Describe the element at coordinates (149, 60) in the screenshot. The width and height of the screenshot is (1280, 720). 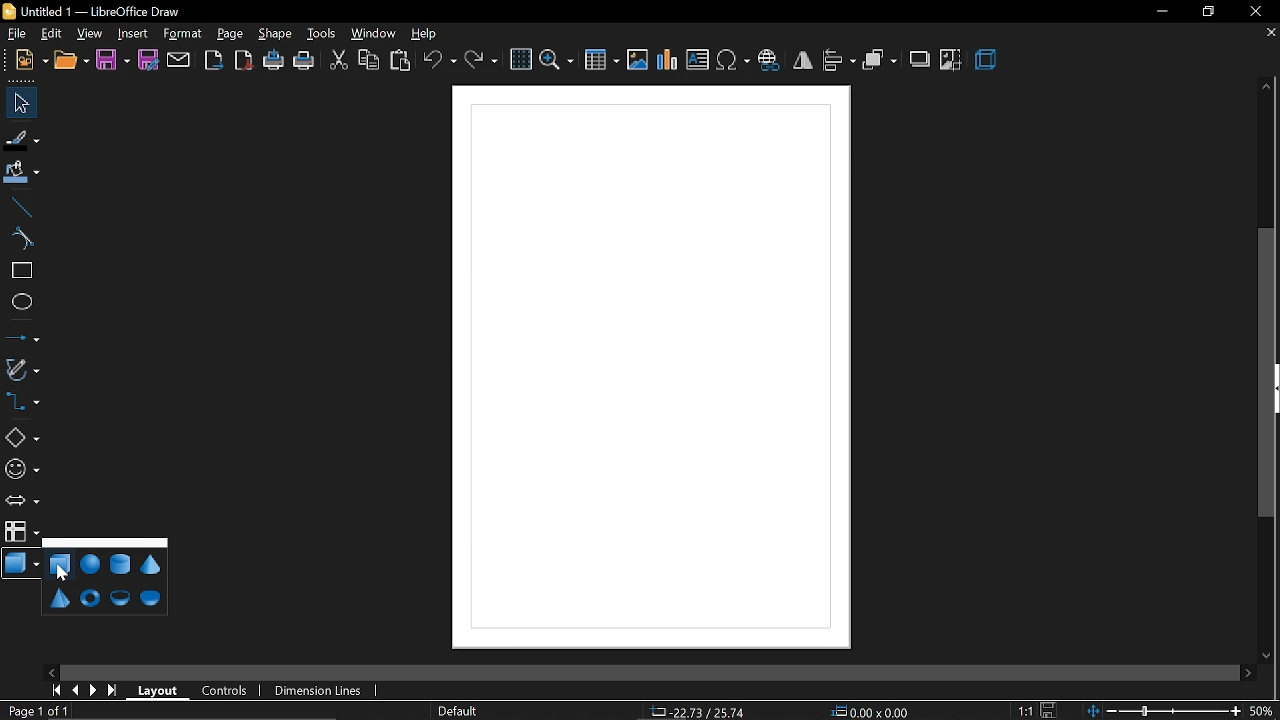
I see `save as` at that location.